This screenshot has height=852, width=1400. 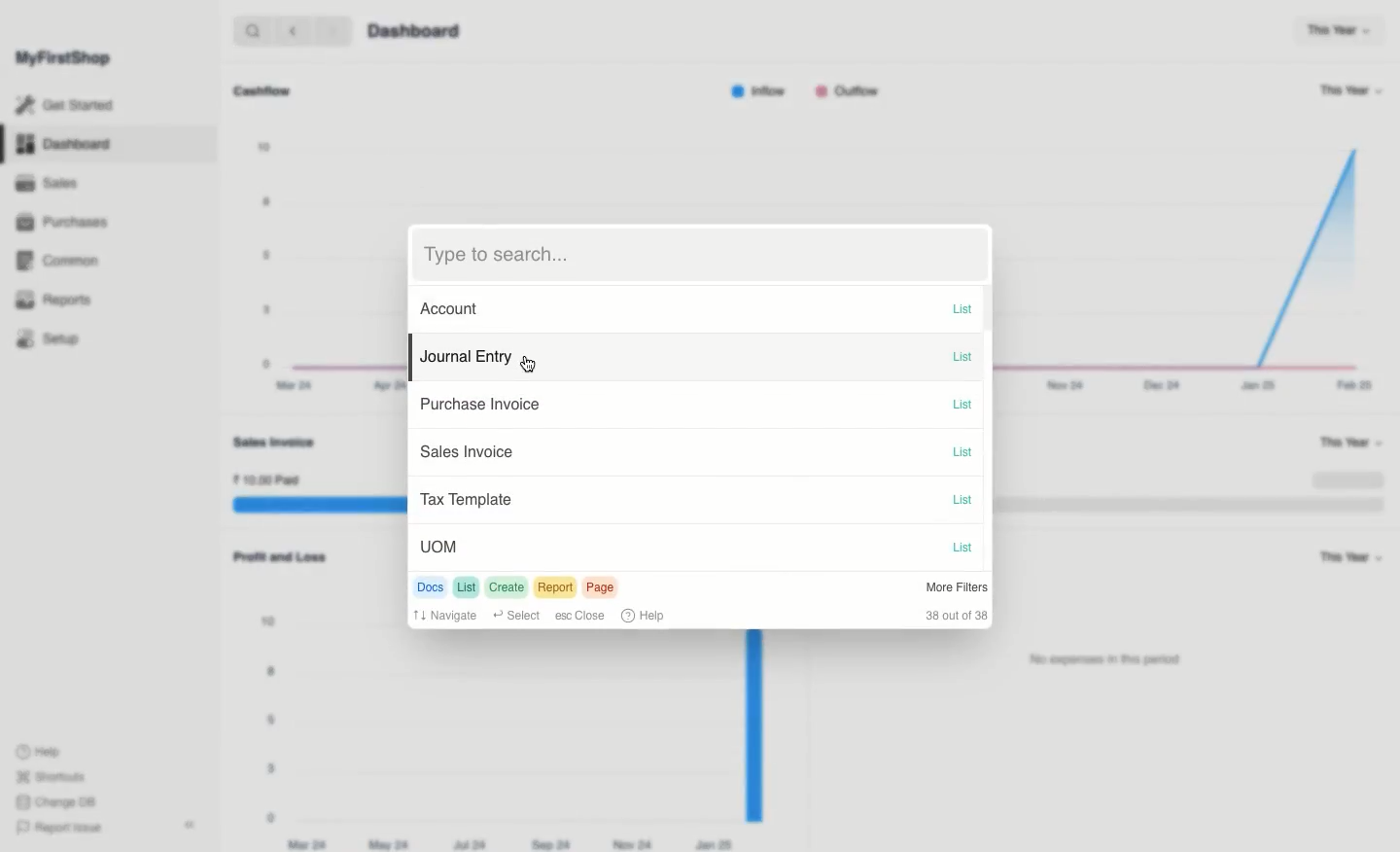 What do you see at coordinates (388, 842) in the screenshot?
I see `May 24` at bounding box center [388, 842].